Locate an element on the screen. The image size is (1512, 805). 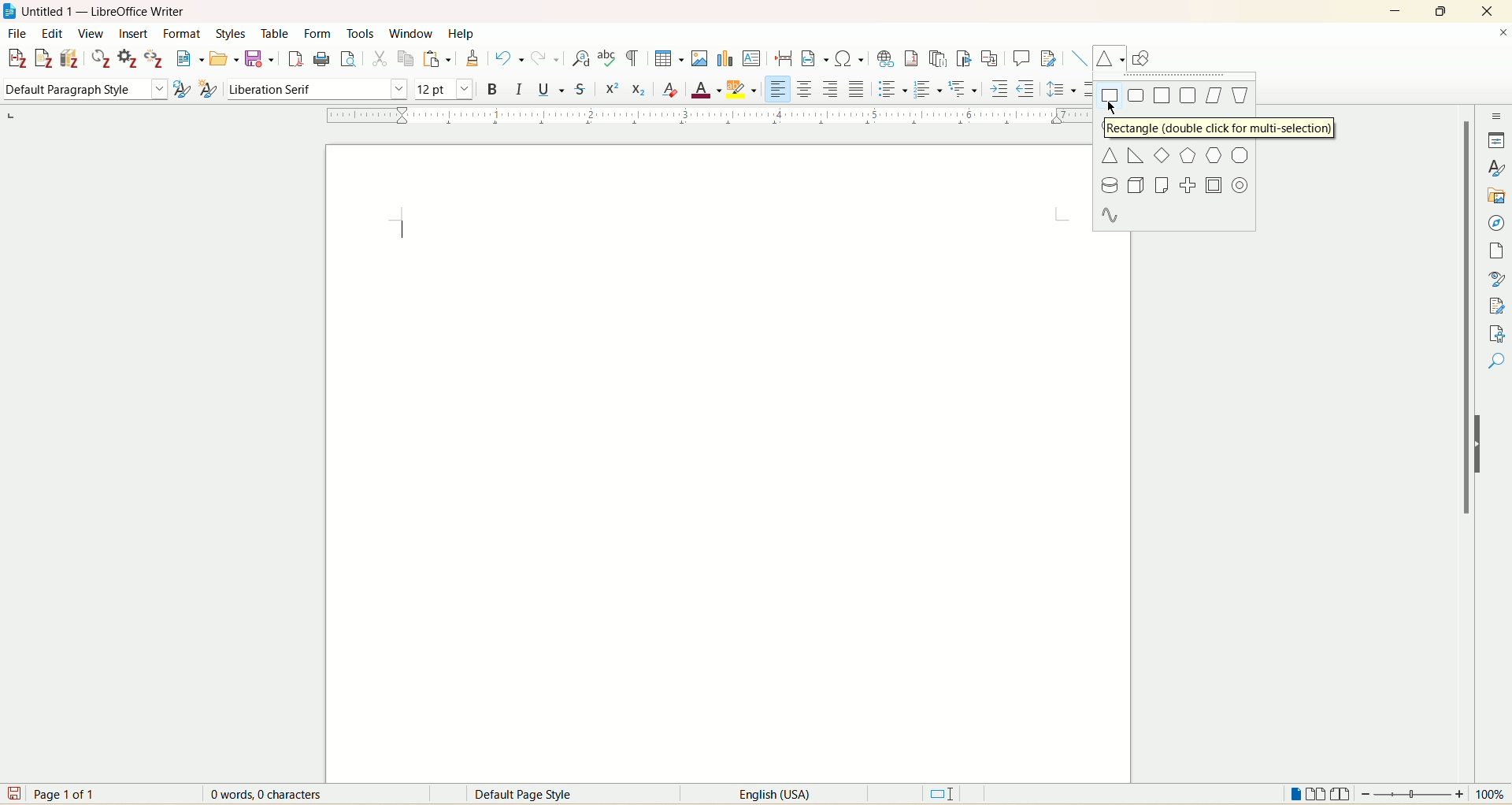
undo is located at coordinates (510, 58).